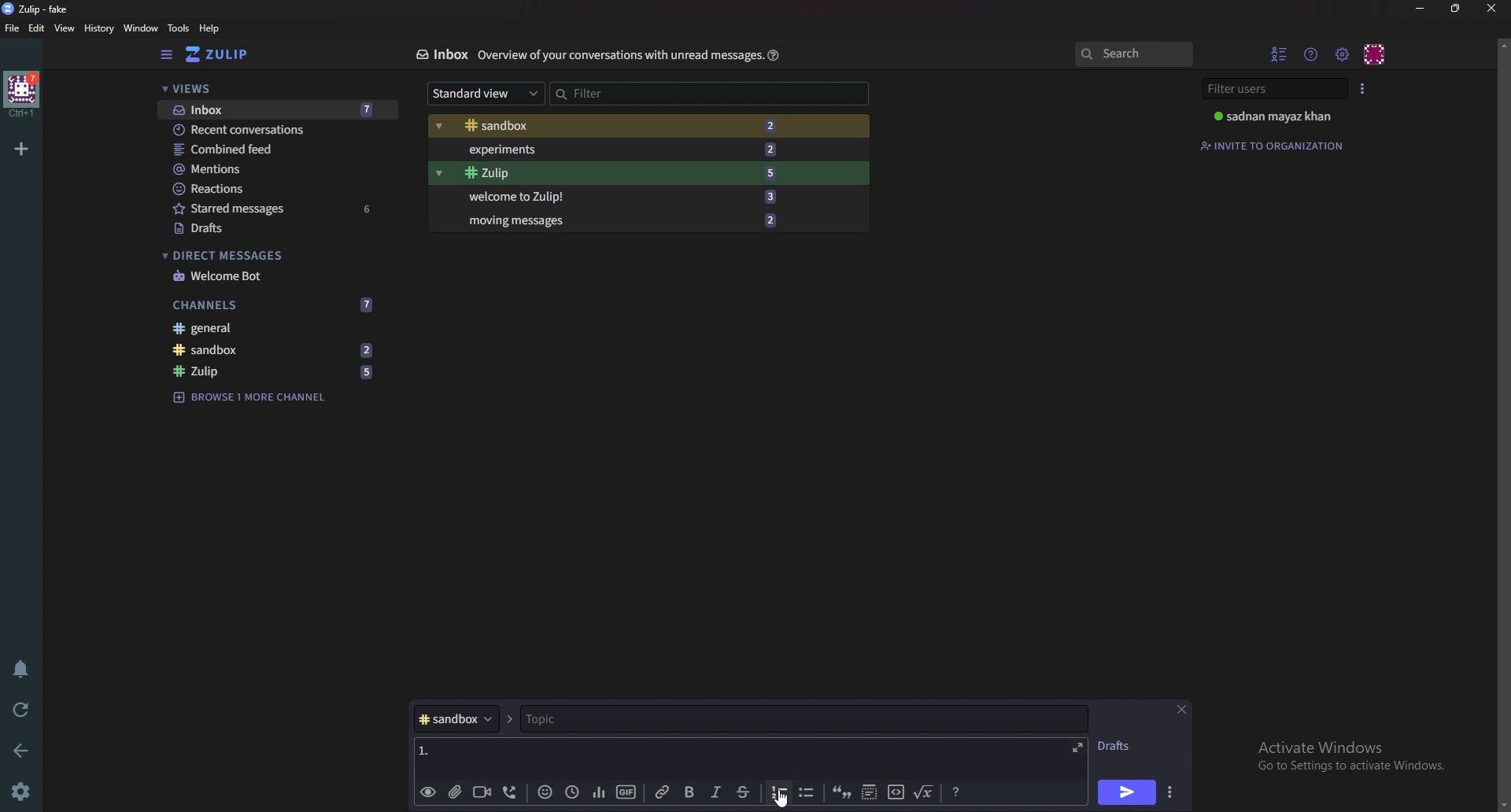 The image size is (1511, 812). I want to click on topic, so click(597, 719).